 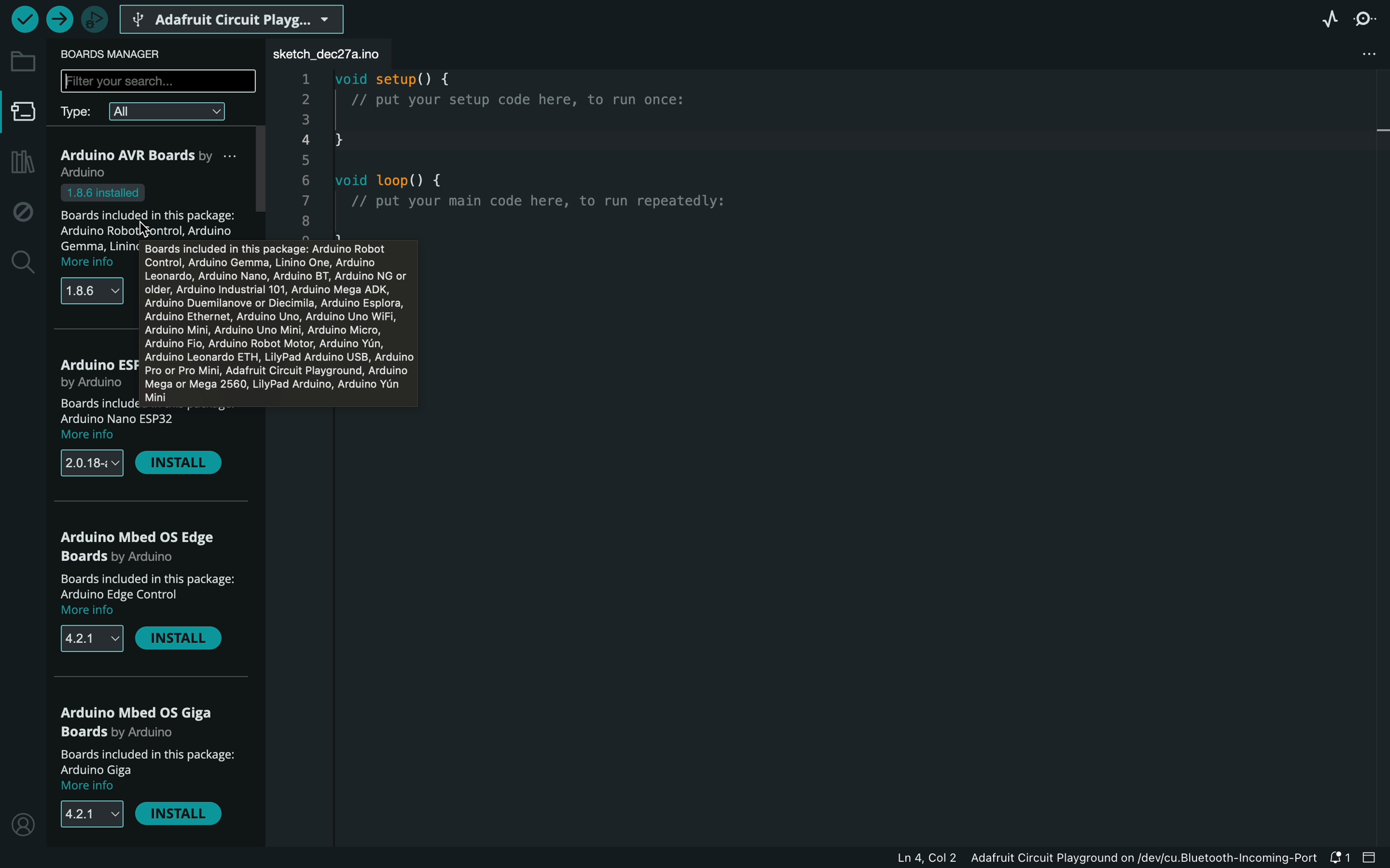 I want to click on board manager, so click(x=122, y=55).